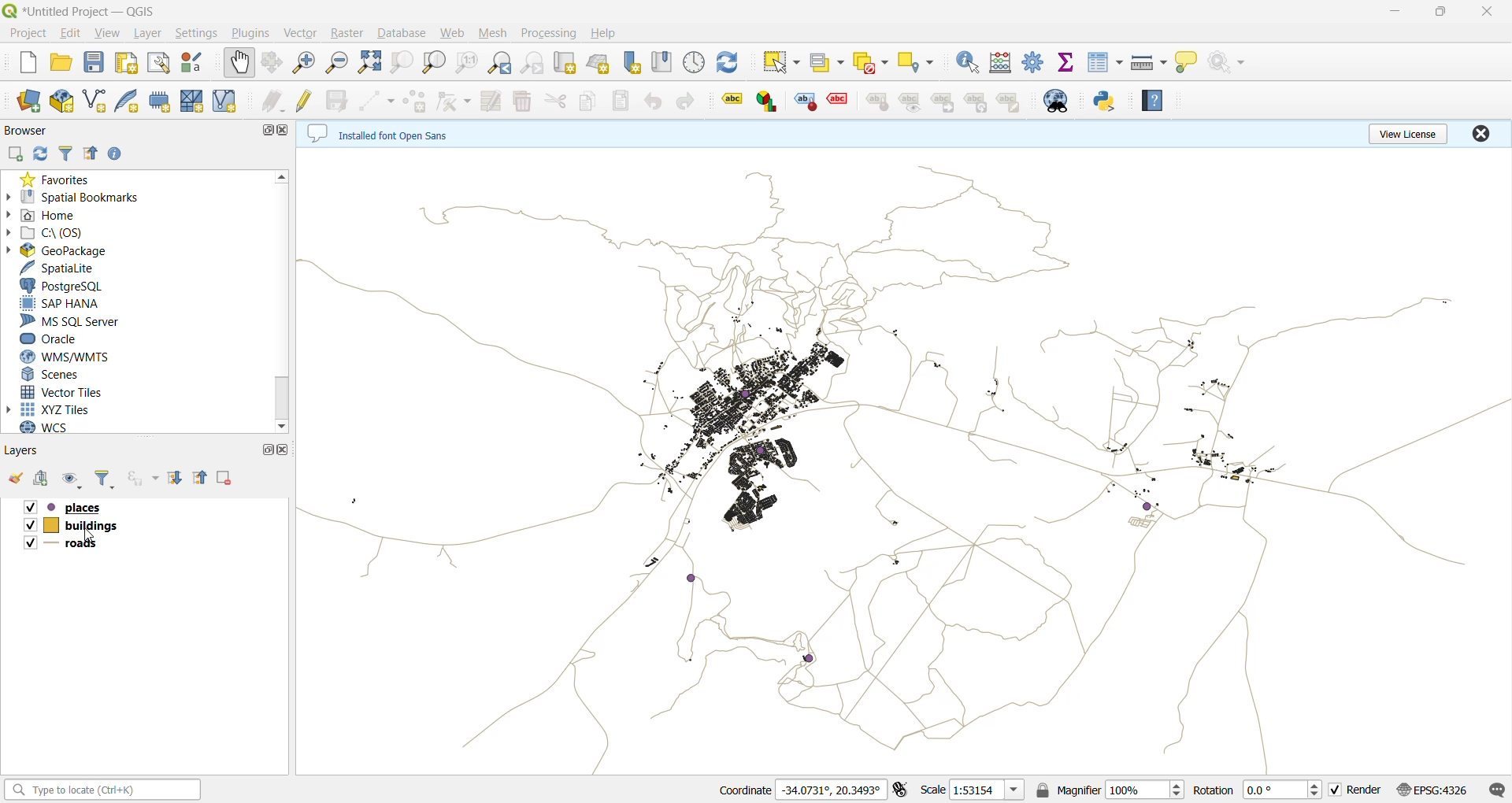 The height and width of the screenshot is (803, 1512). What do you see at coordinates (98, 64) in the screenshot?
I see `save` at bounding box center [98, 64].